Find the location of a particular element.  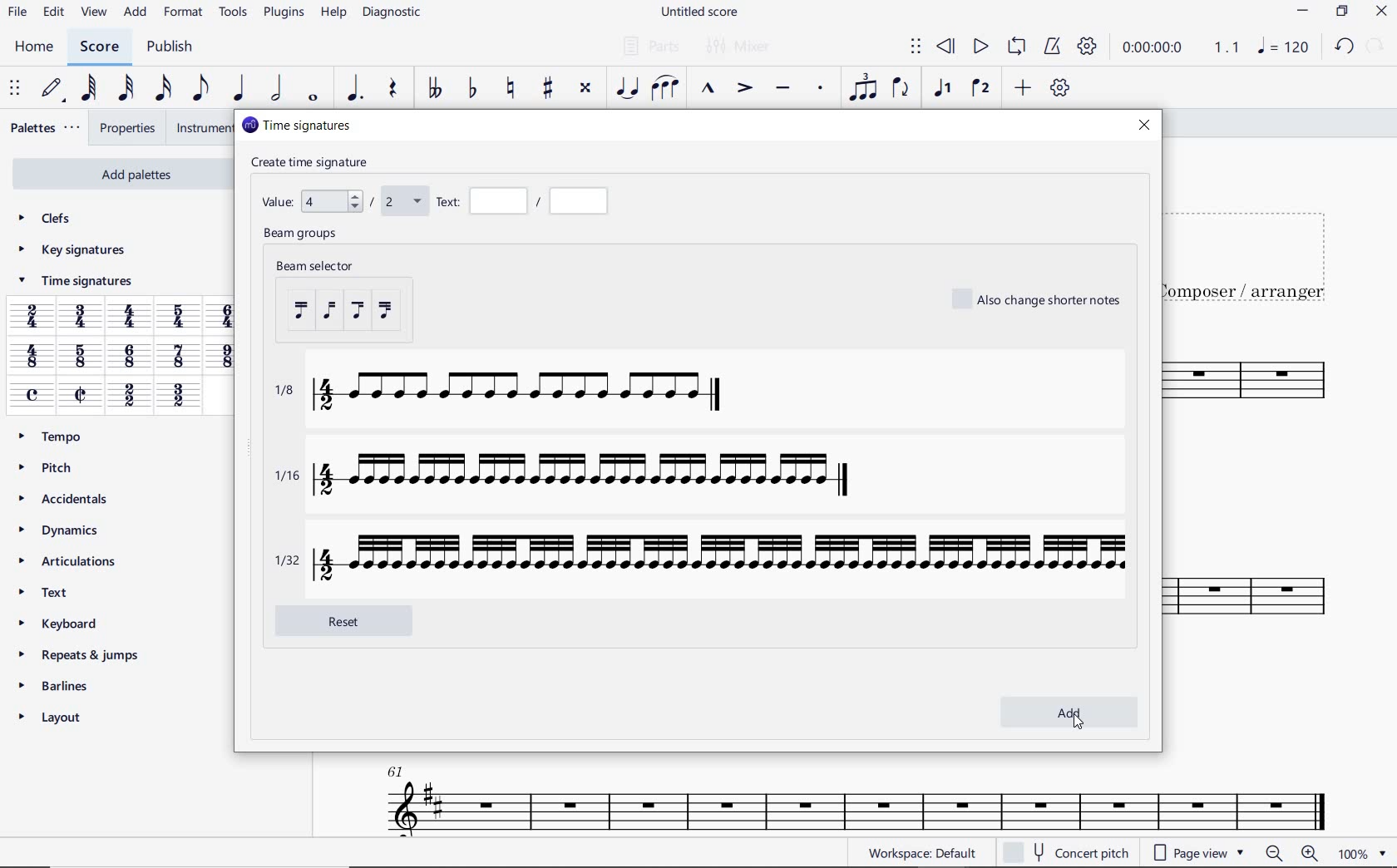

MINIMIZE is located at coordinates (1303, 11).